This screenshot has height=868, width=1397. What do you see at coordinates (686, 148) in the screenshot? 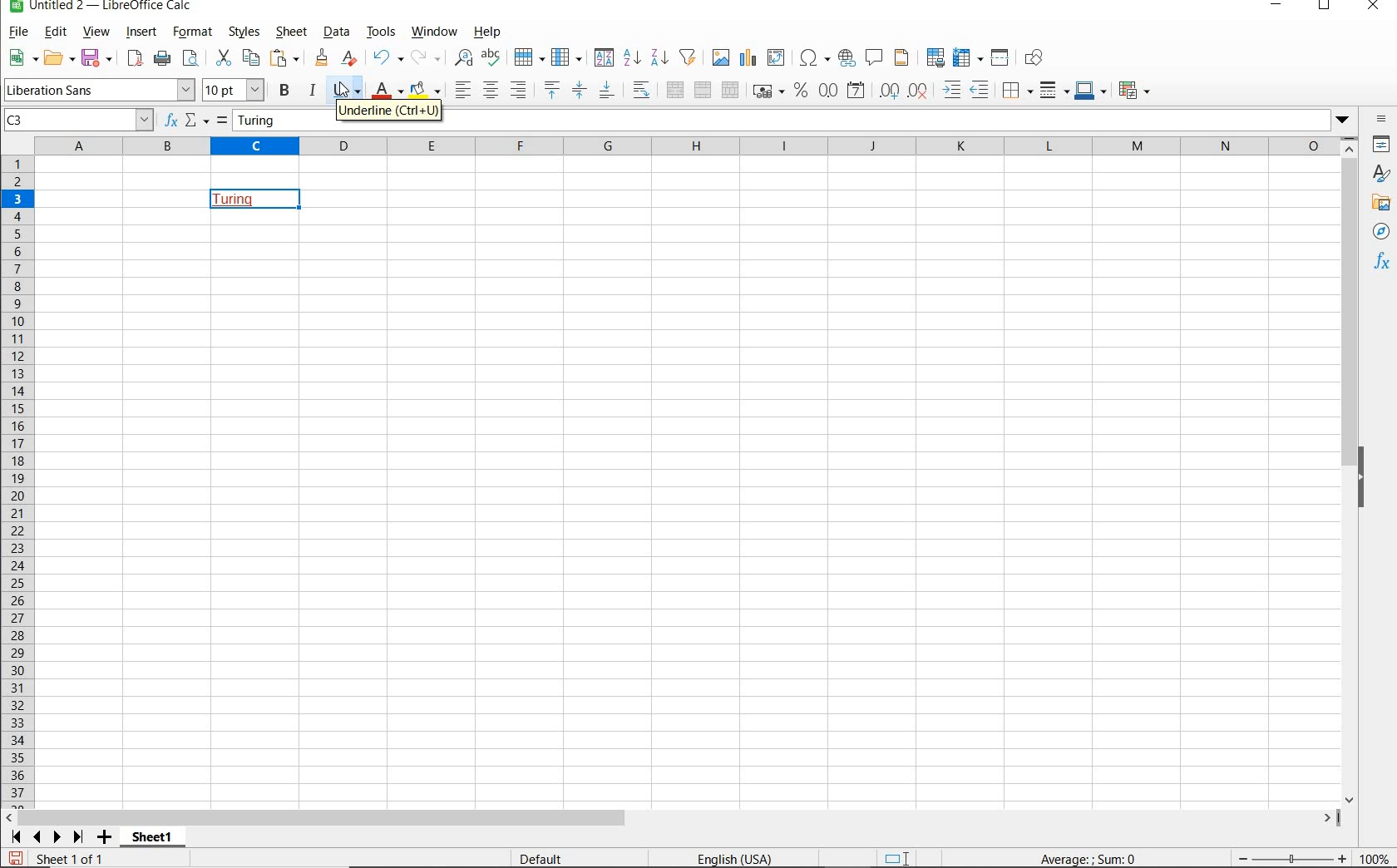
I see `Columns` at bounding box center [686, 148].